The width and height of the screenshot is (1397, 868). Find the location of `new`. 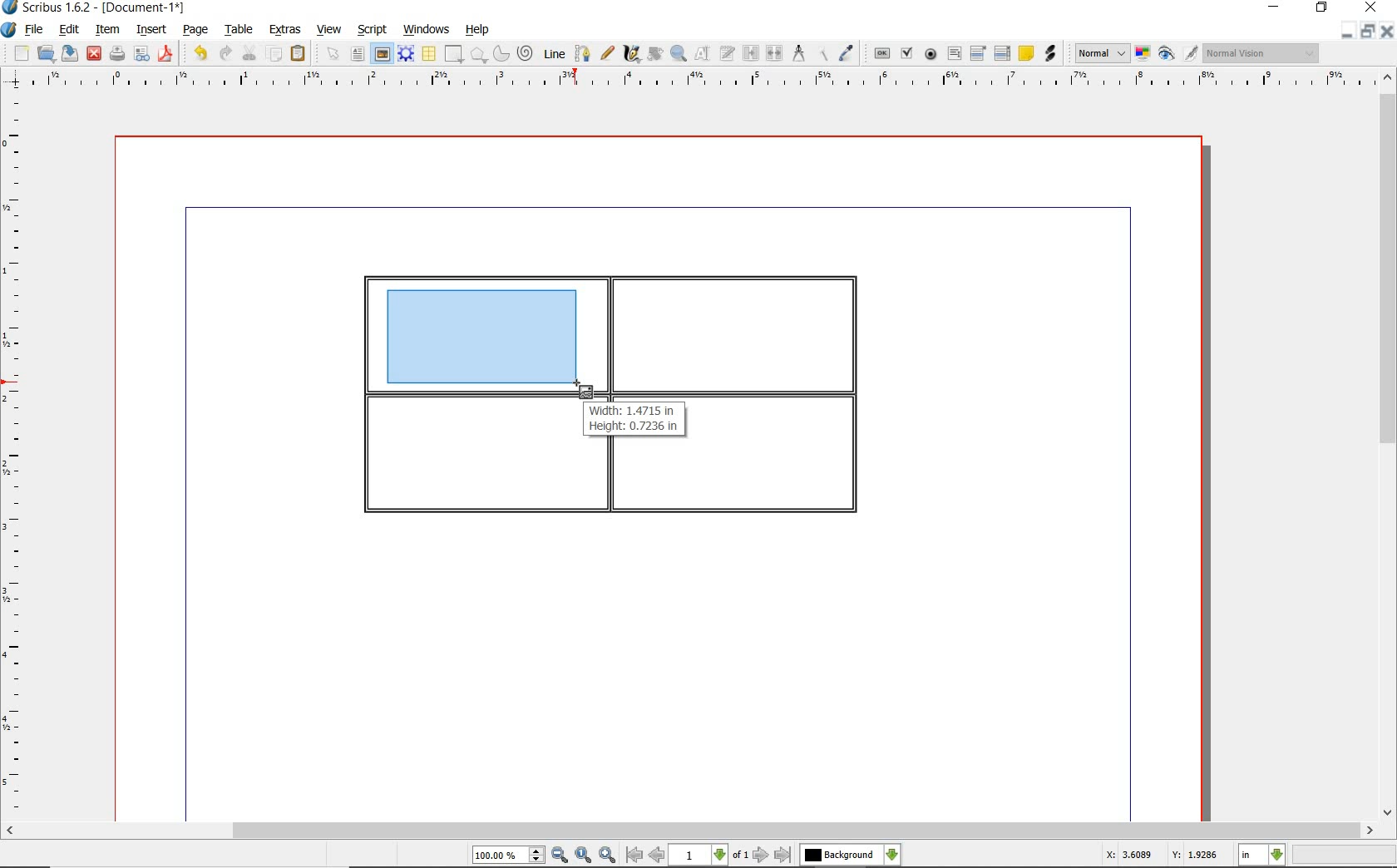

new is located at coordinates (22, 55).